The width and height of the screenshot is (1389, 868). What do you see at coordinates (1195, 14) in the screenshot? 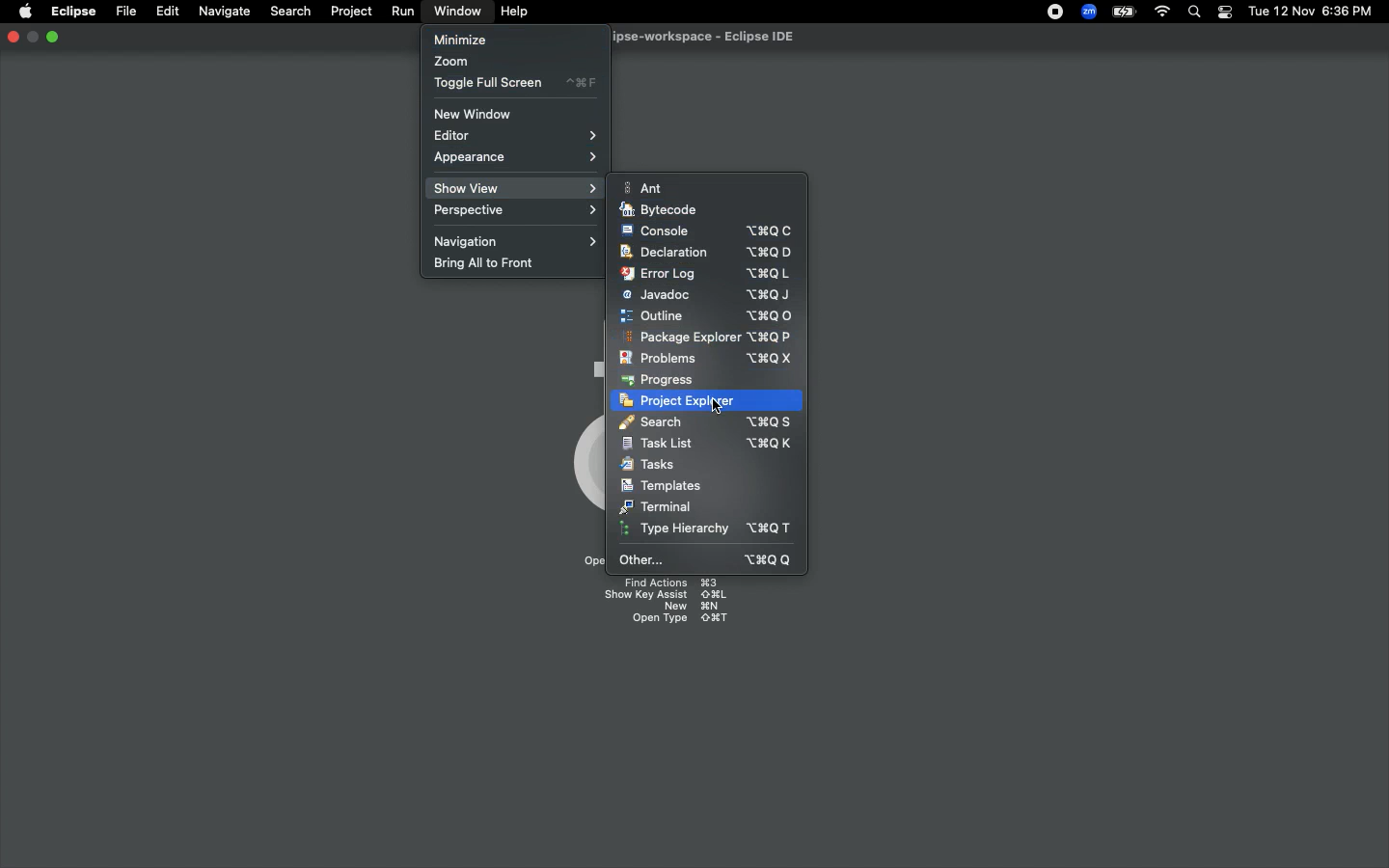
I see `Search` at bounding box center [1195, 14].